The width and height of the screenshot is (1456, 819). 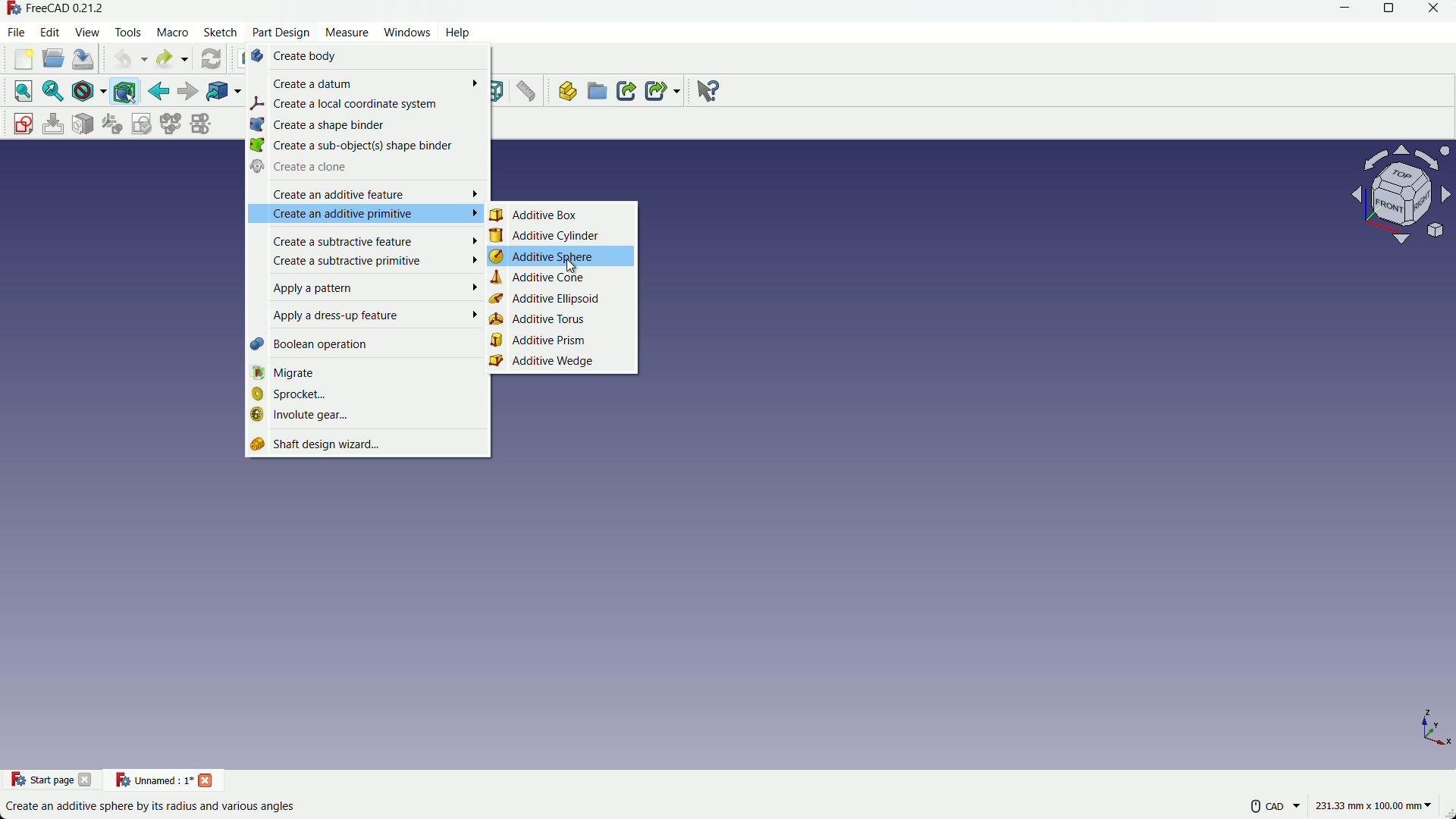 What do you see at coordinates (83, 124) in the screenshot?
I see `mark sketch to face` at bounding box center [83, 124].